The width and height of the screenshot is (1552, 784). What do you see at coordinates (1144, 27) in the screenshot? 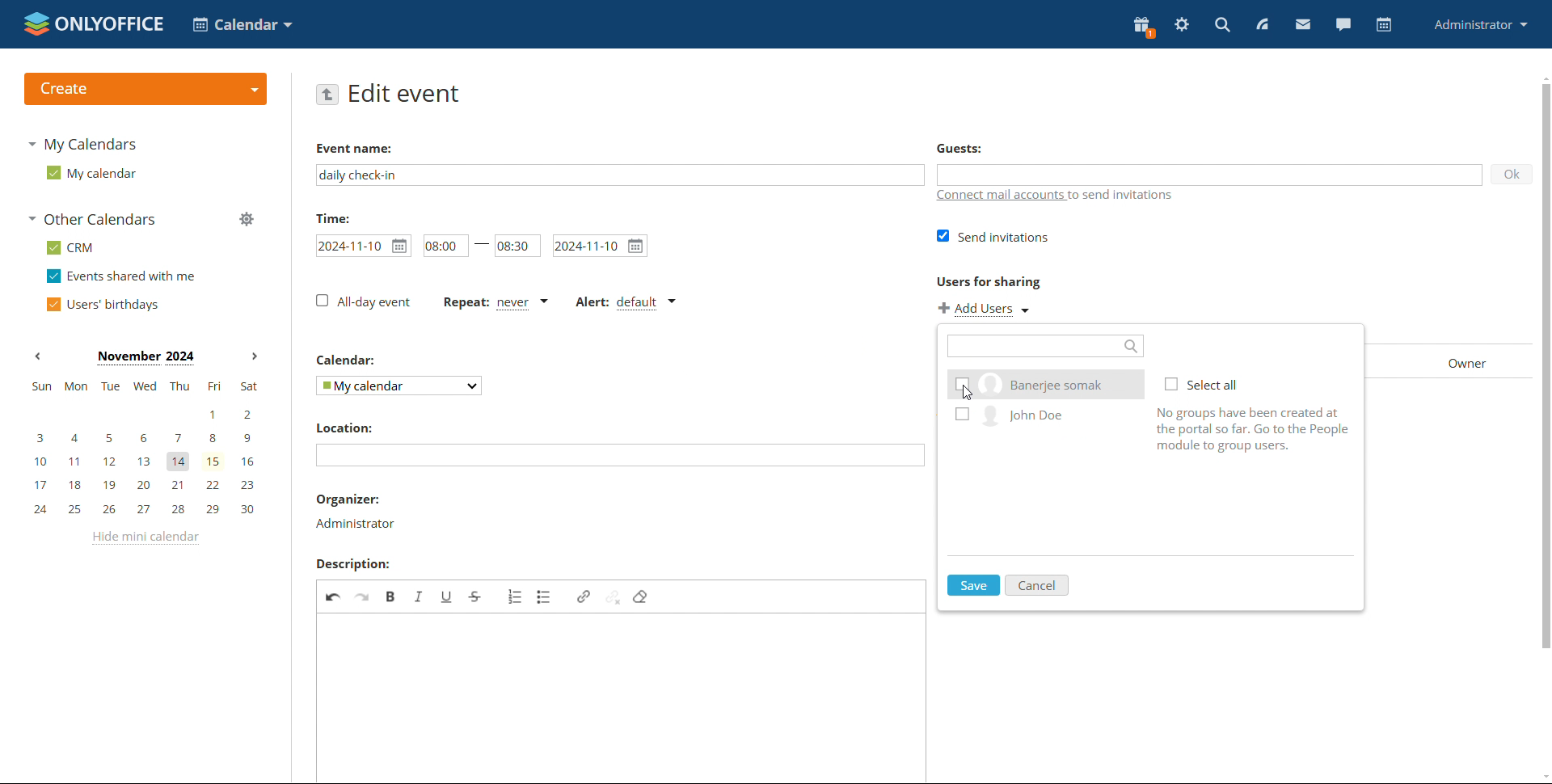
I see `present` at bounding box center [1144, 27].